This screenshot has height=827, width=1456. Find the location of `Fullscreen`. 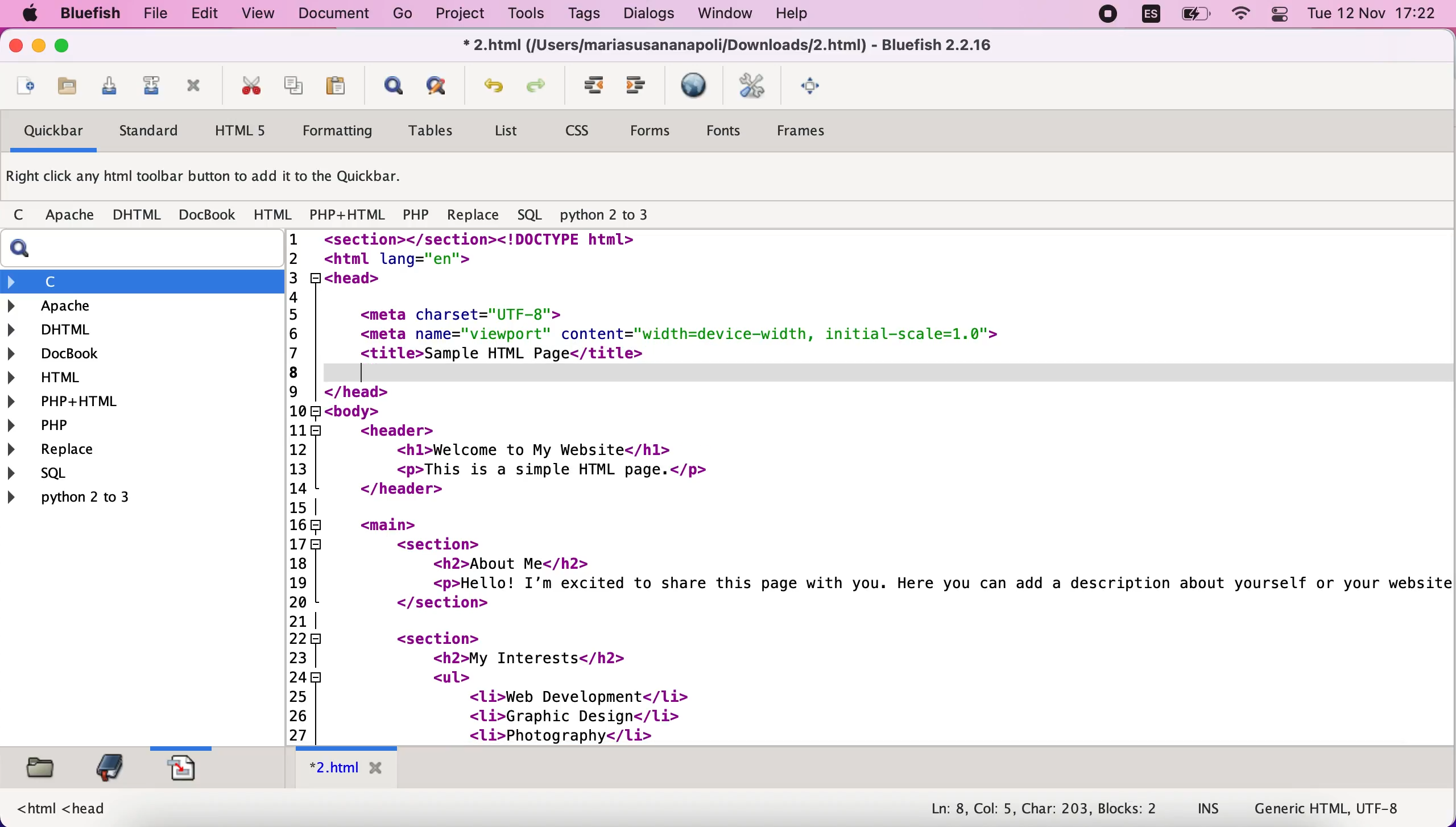

Fullscreen is located at coordinates (817, 87).